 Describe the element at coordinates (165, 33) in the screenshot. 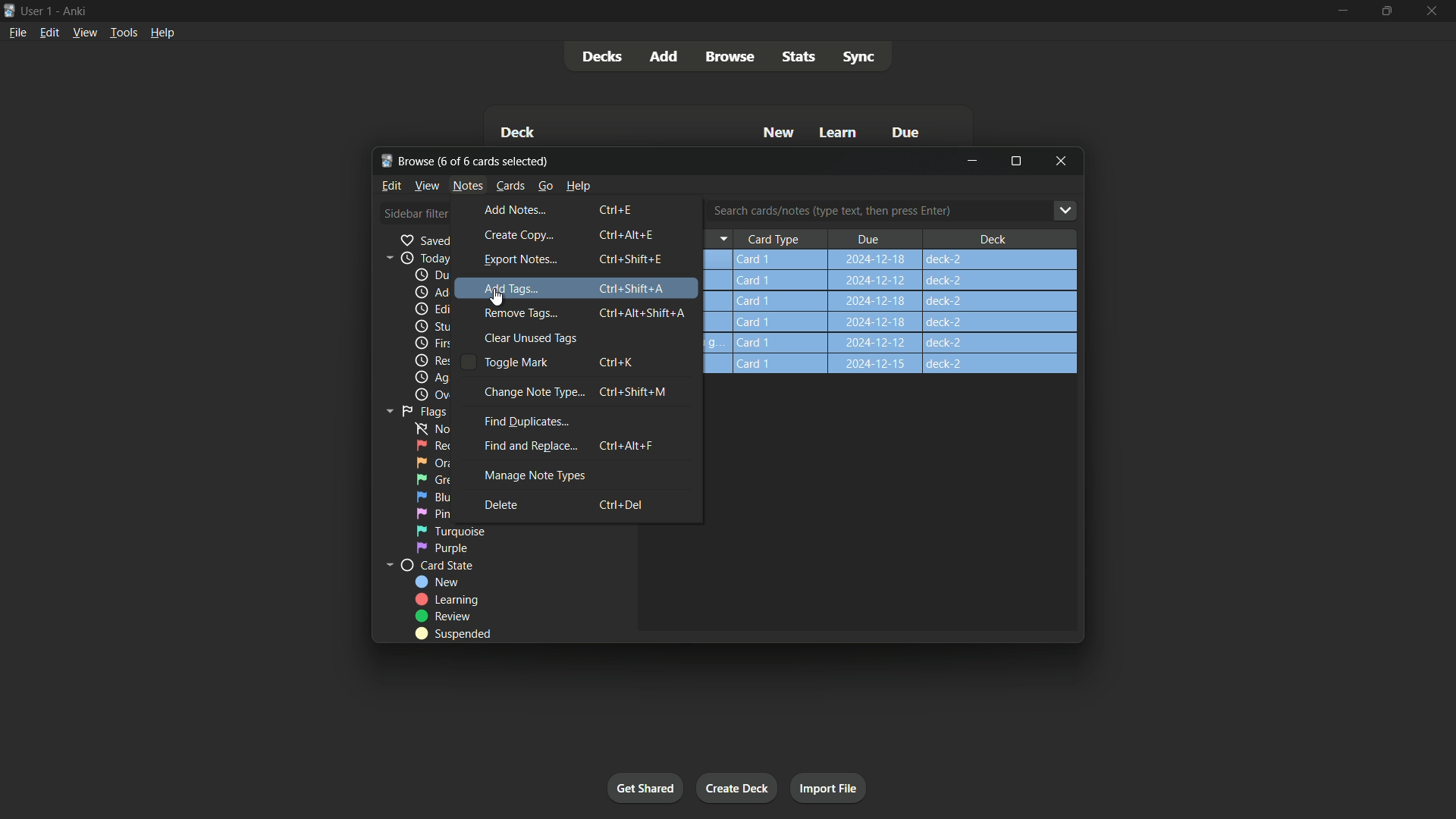

I see `Help menu` at that location.